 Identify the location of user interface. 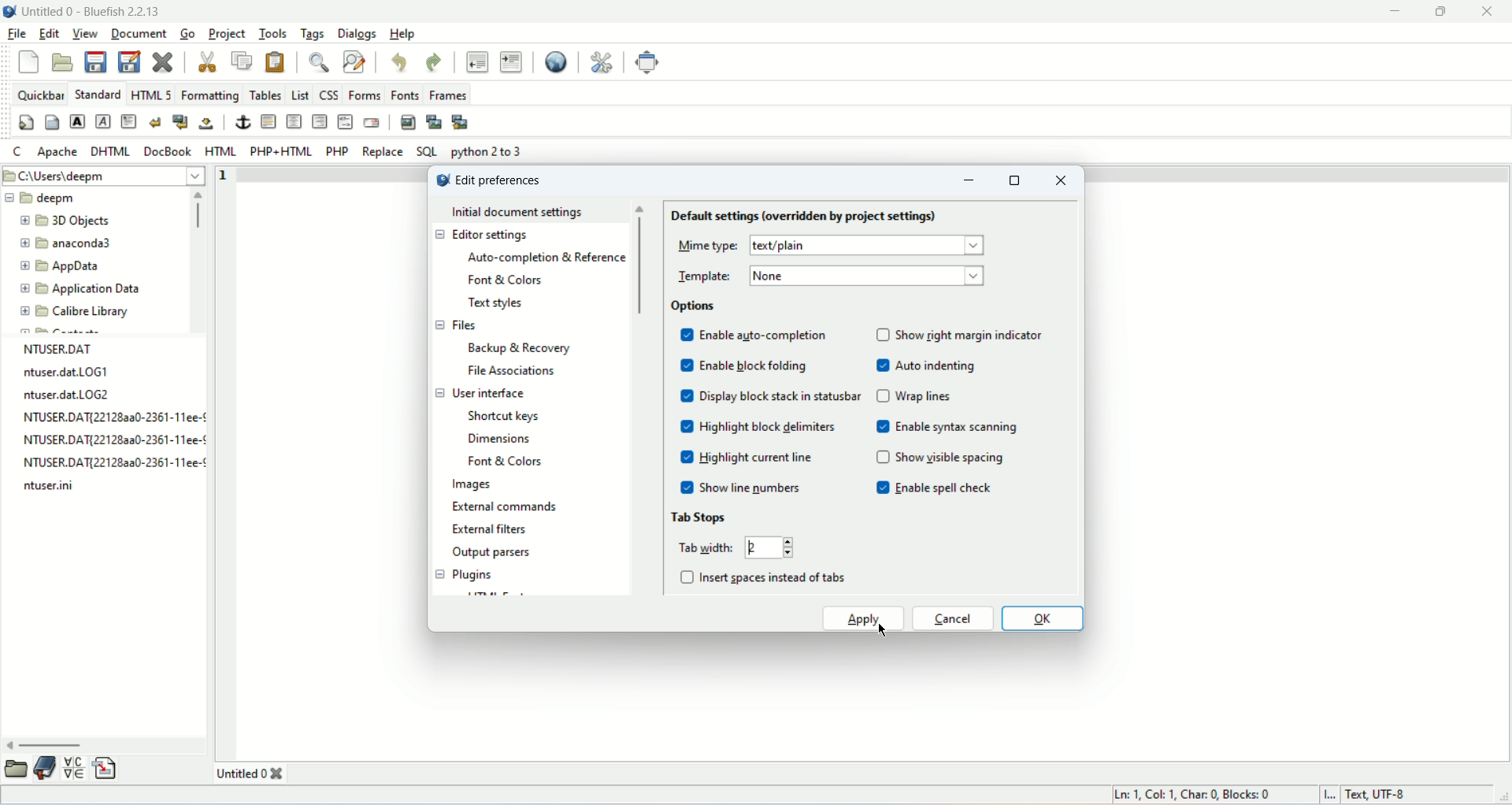
(479, 392).